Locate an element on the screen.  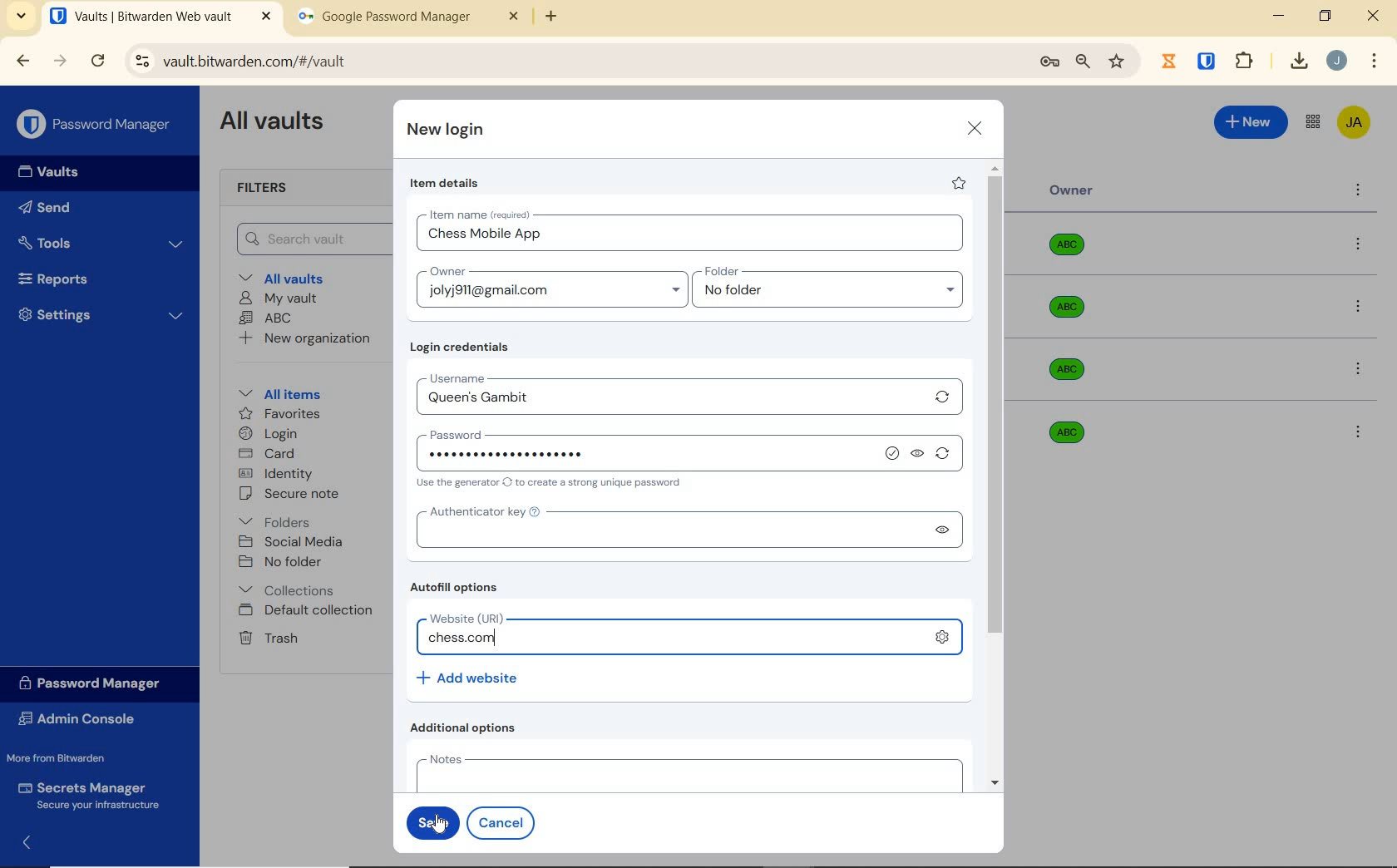
Owner organization is located at coordinates (1063, 431).